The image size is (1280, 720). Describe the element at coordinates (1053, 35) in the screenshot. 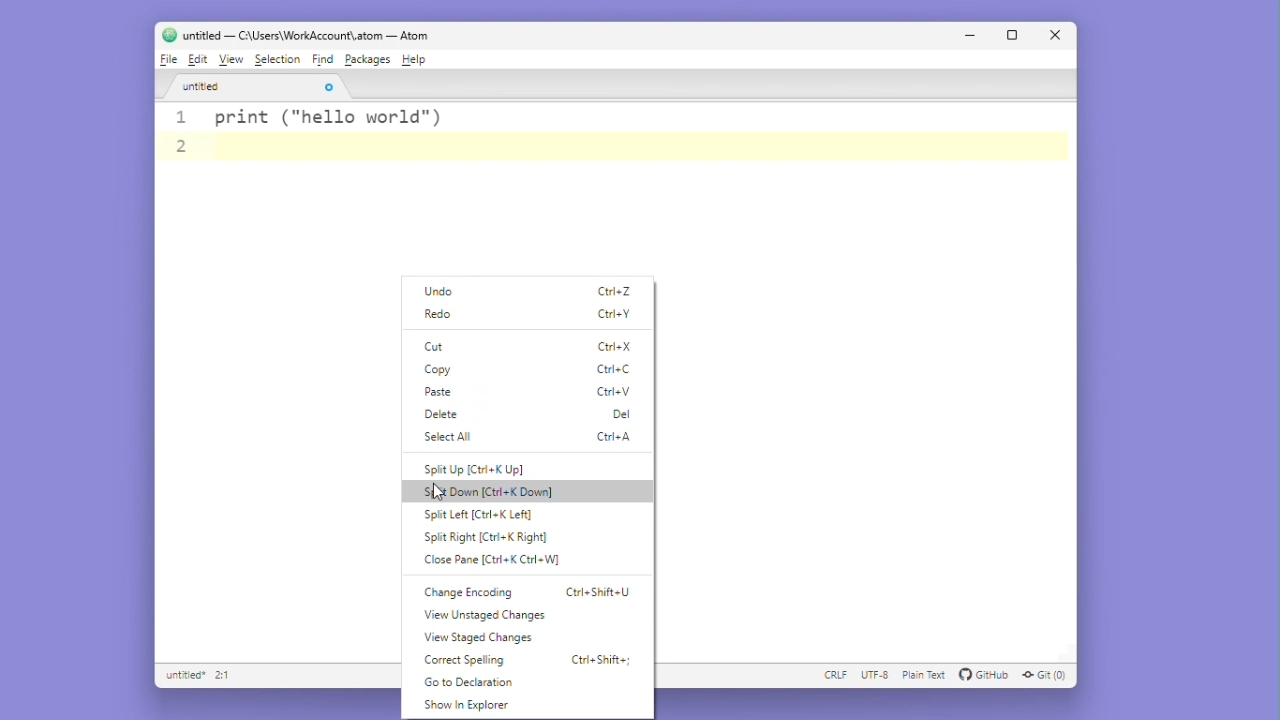

I see `Close` at that location.